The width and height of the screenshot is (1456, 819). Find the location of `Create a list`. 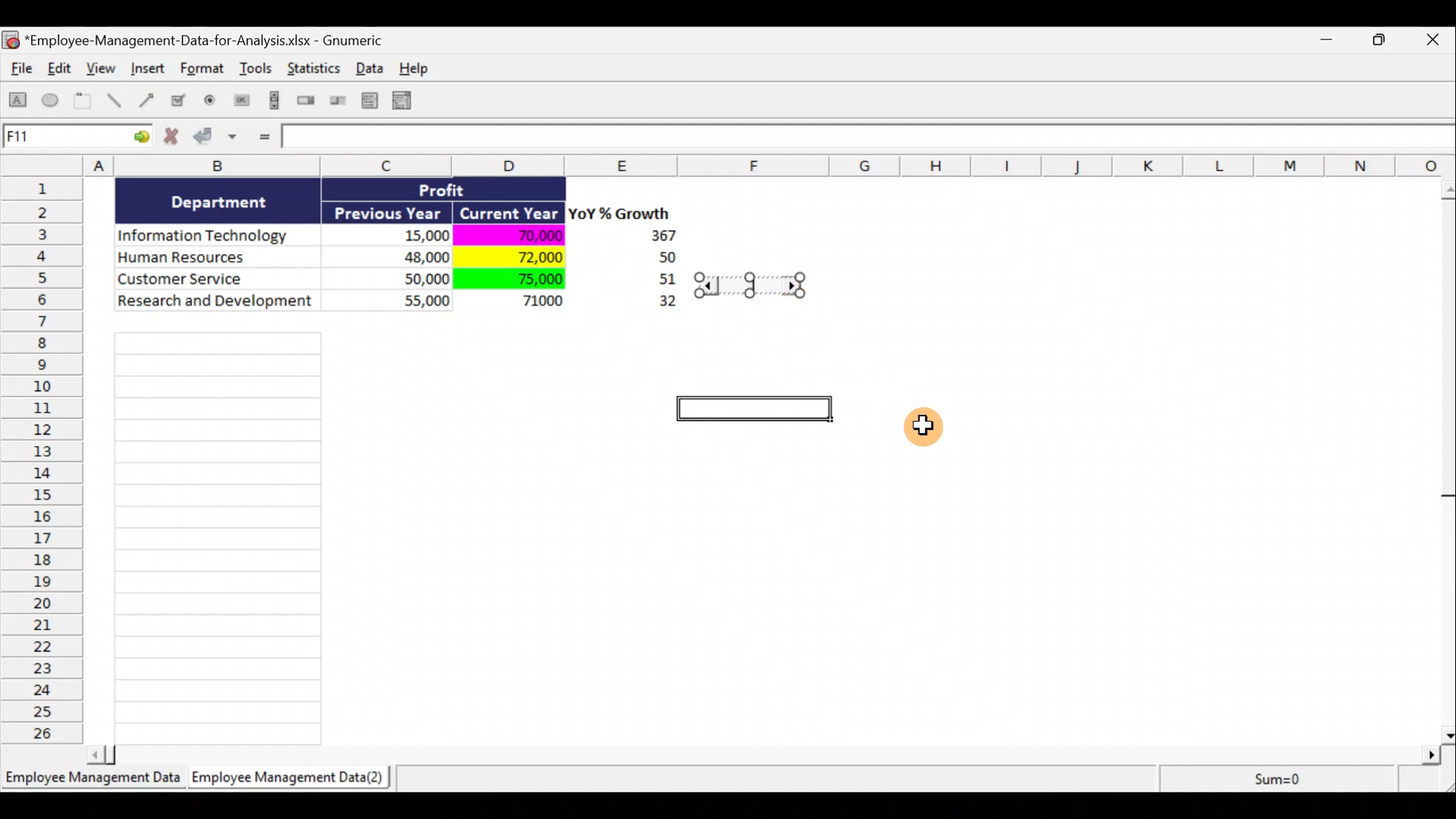

Create a list is located at coordinates (366, 100).